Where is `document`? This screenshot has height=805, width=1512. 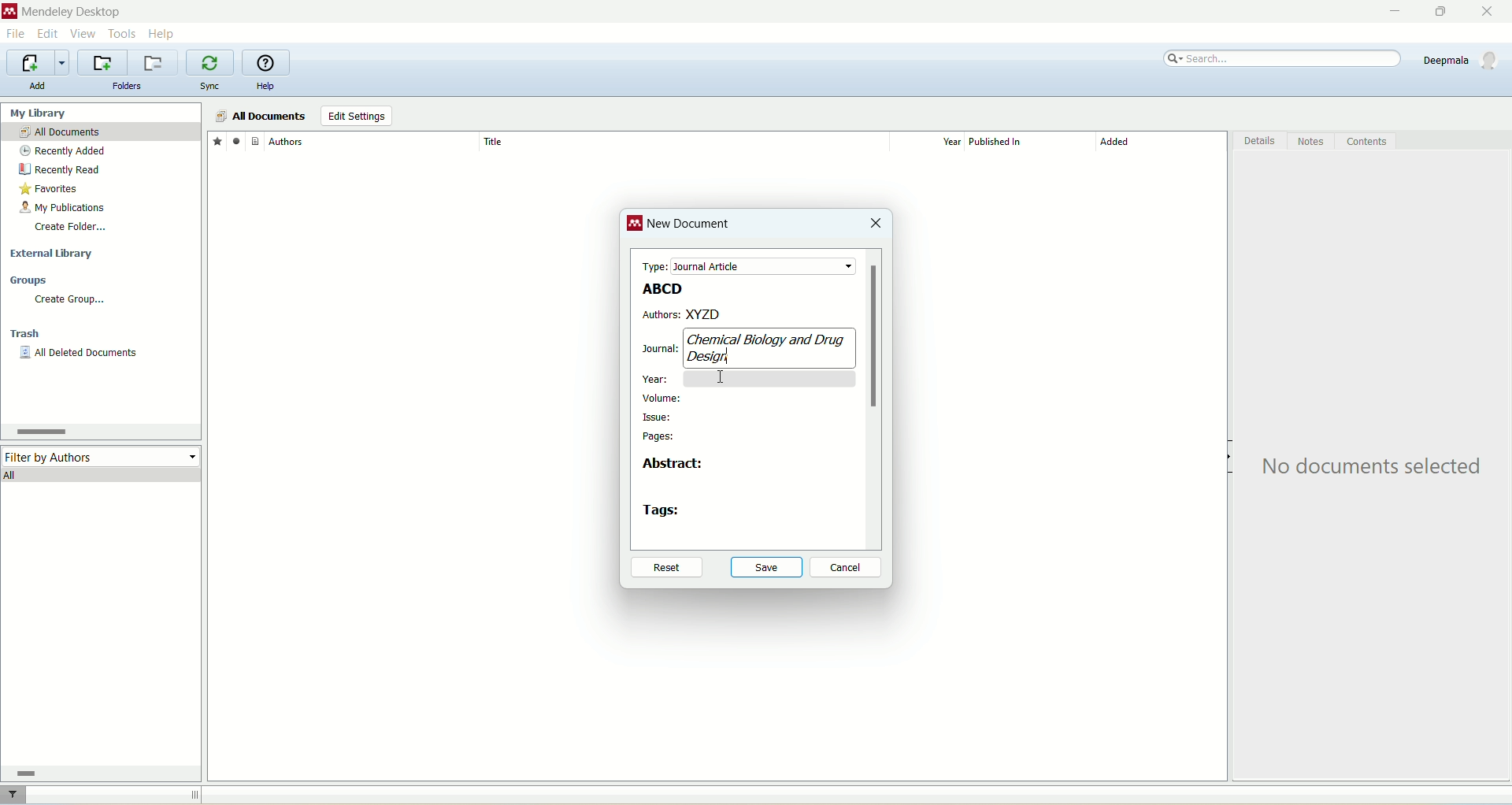 document is located at coordinates (255, 140).